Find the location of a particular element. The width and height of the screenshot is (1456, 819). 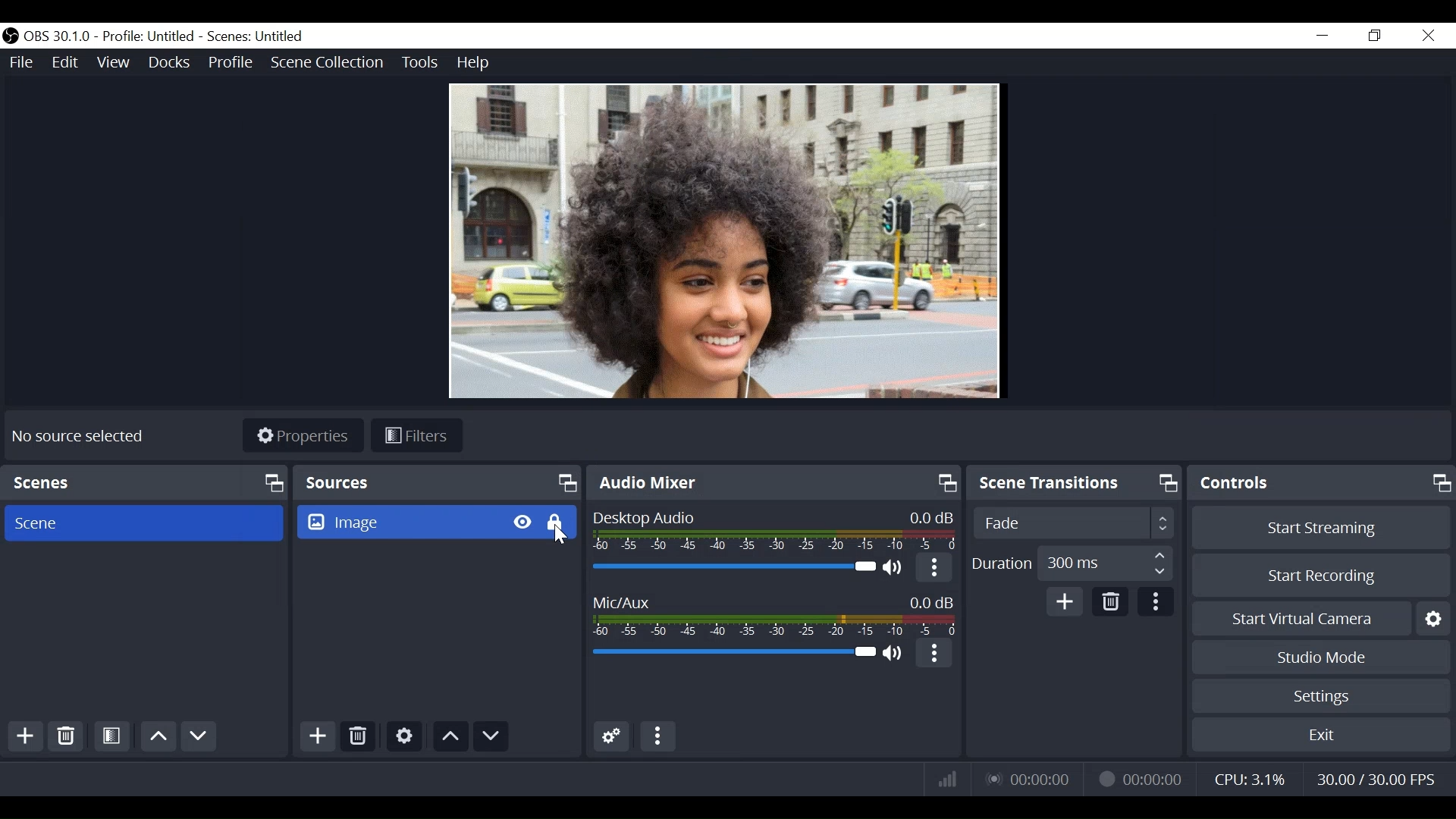

00: 00: 00 is located at coordinates (1141, 779).